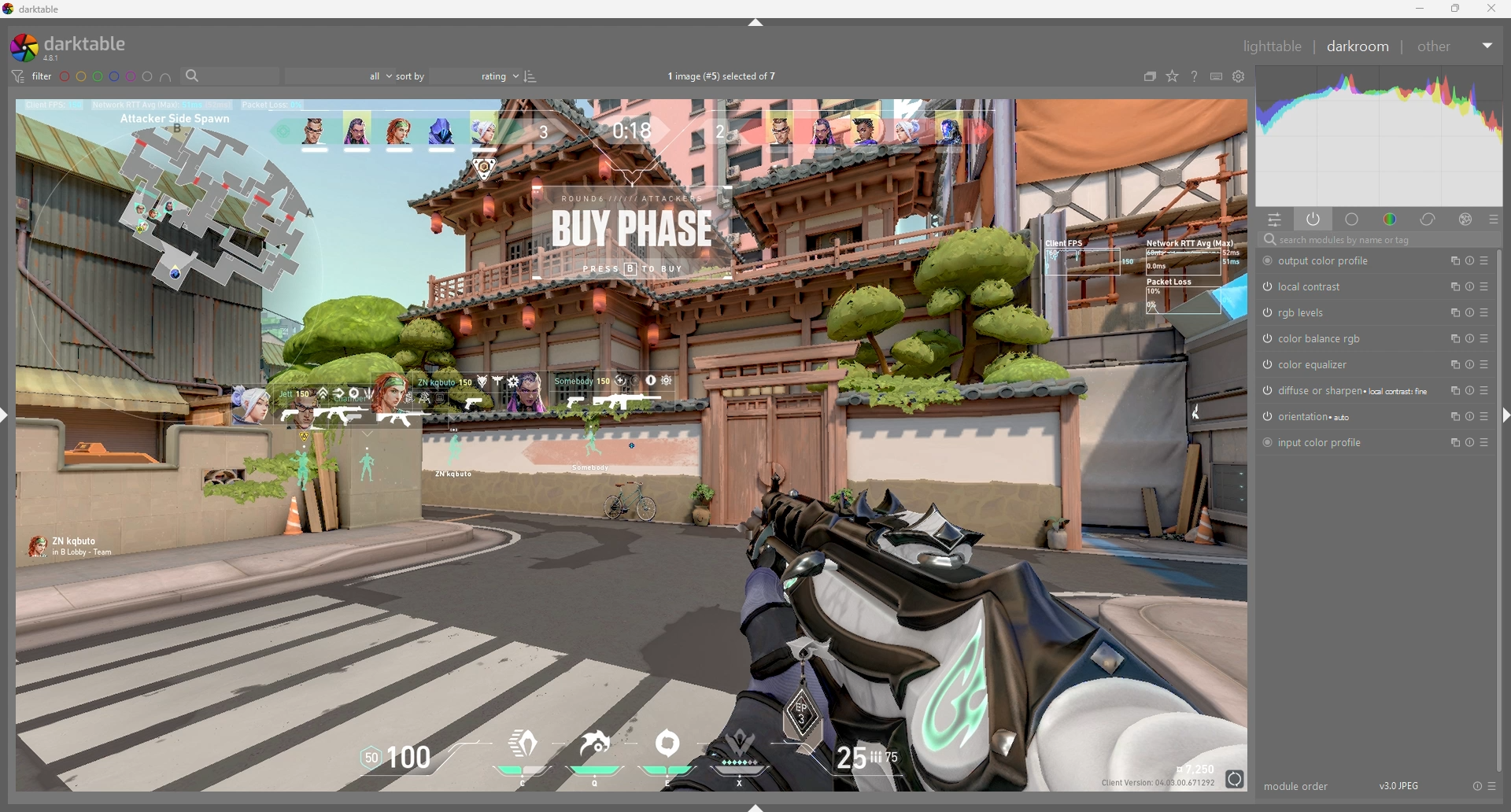  Describe the element at coordinates (1493, 786) in the screenshot. I see `presets` at that location.